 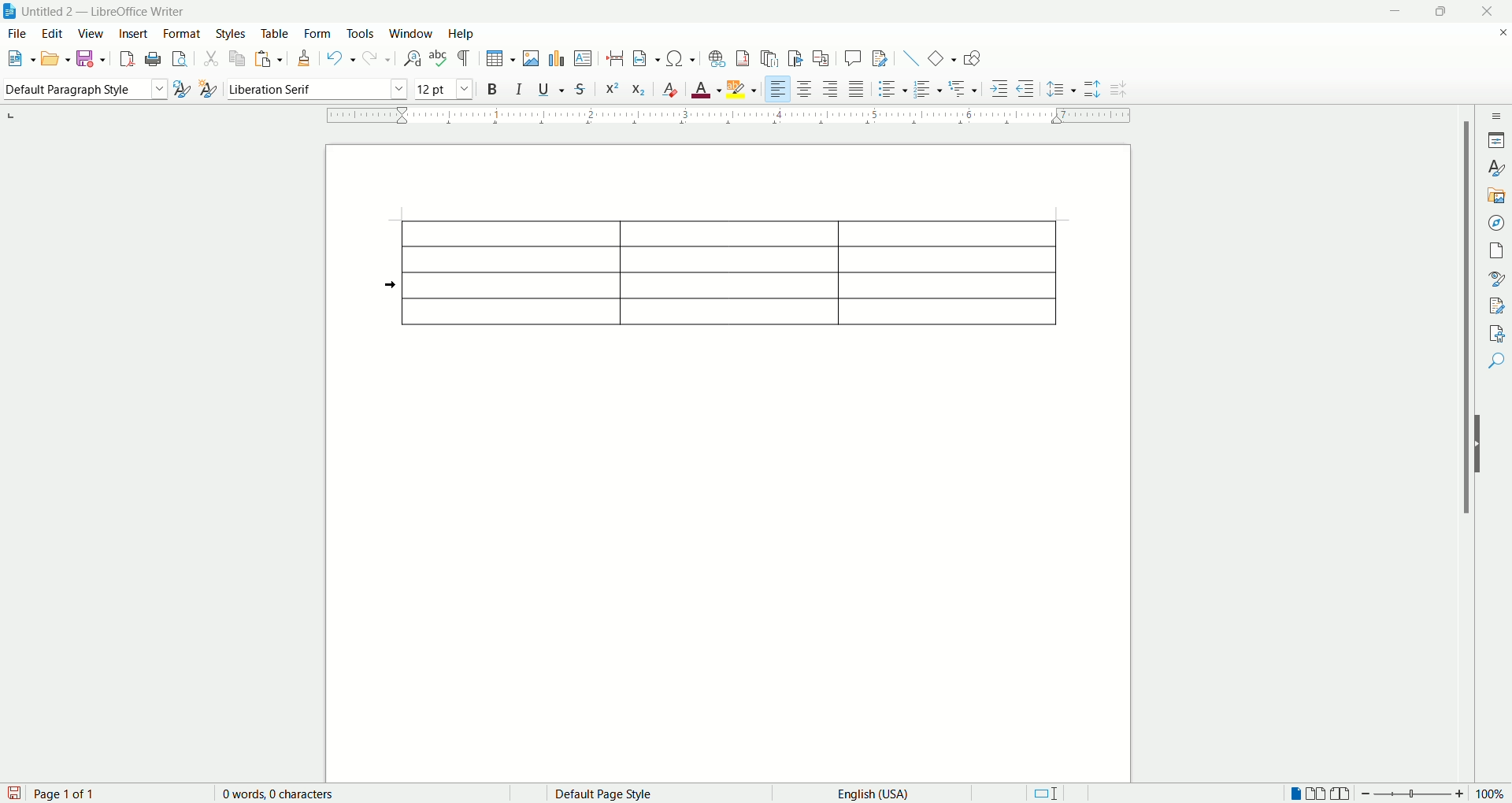 What do you see at coordinates (868, 794) in the screenshot?
I see `english (USA)` at bounding box center [868, 794].